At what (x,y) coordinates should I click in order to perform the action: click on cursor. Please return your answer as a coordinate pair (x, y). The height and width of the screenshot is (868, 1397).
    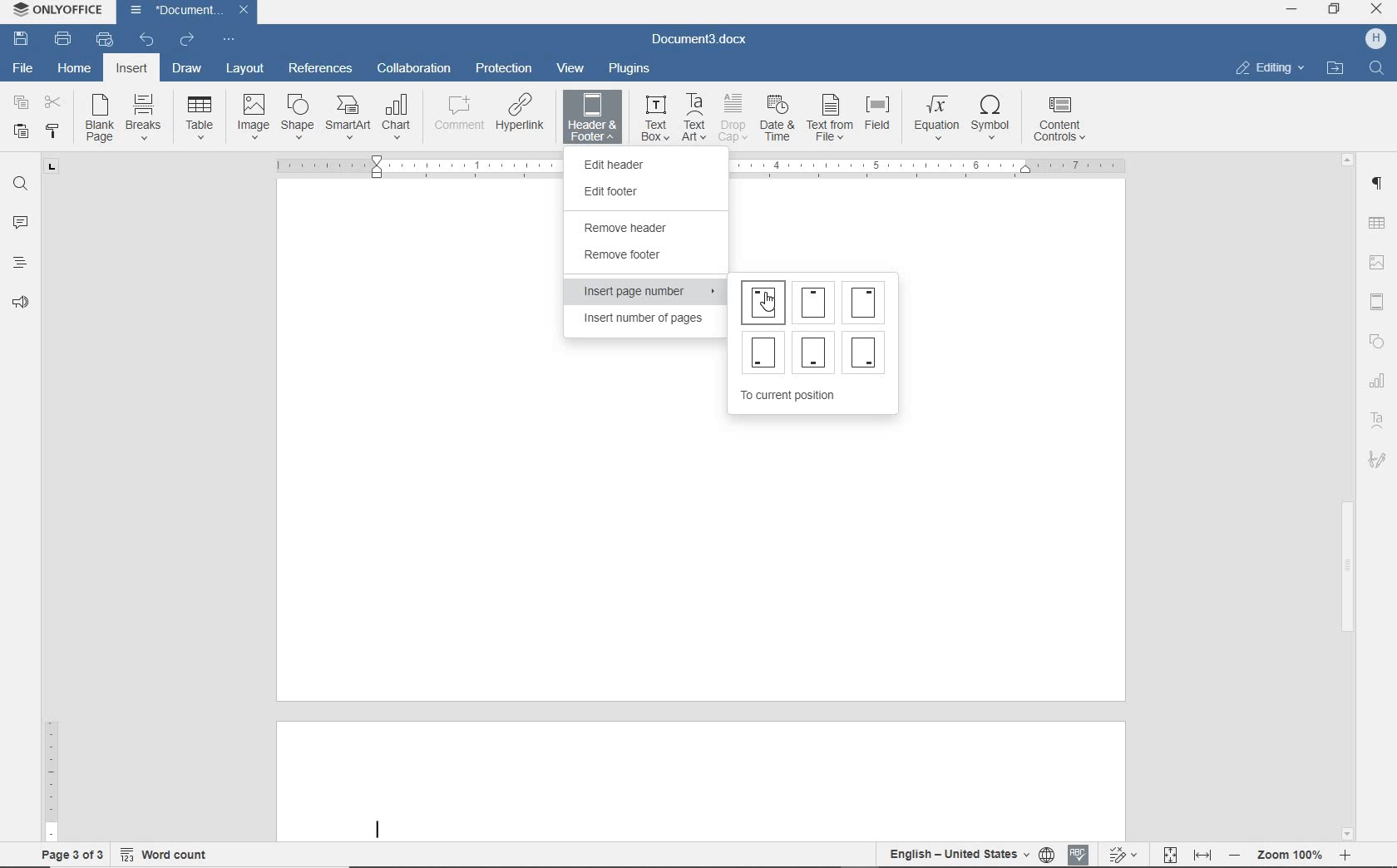
    Looking at the image, I should click on (774, 302).